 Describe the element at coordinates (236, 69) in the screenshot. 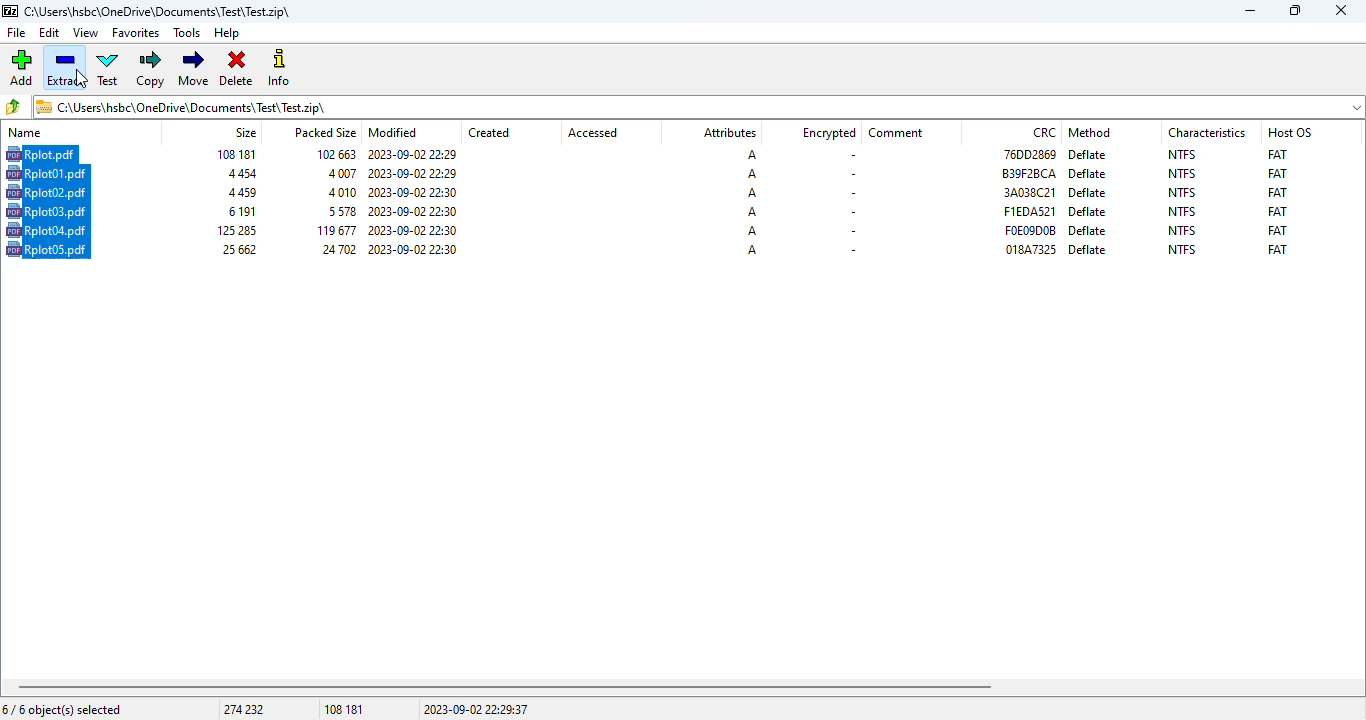

I see `delete` at that location.